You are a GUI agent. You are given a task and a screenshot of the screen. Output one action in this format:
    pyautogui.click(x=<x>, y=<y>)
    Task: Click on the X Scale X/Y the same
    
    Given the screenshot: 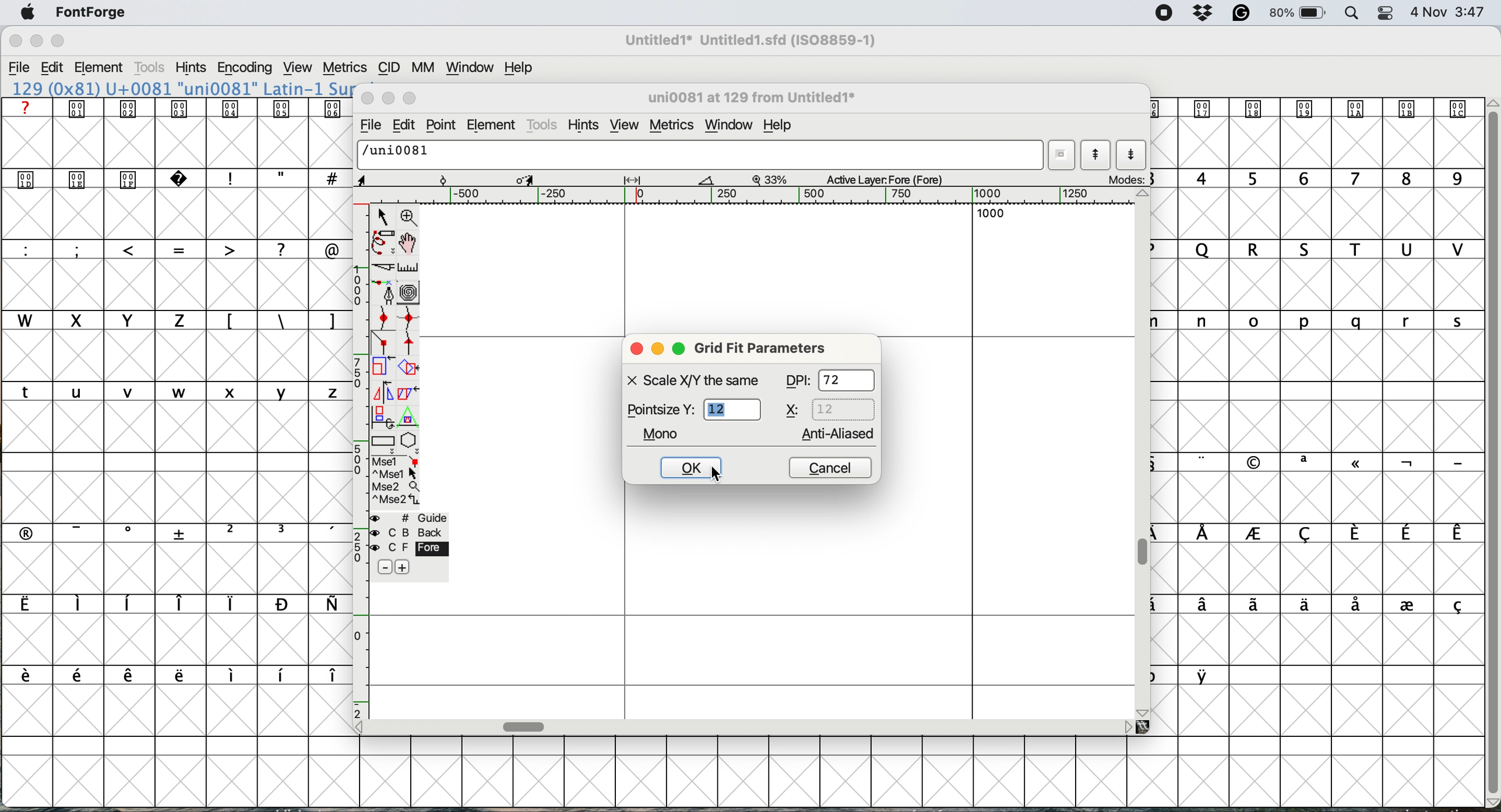 What is the action you would take?
    pyautogui.click(x=697, y=380)
    